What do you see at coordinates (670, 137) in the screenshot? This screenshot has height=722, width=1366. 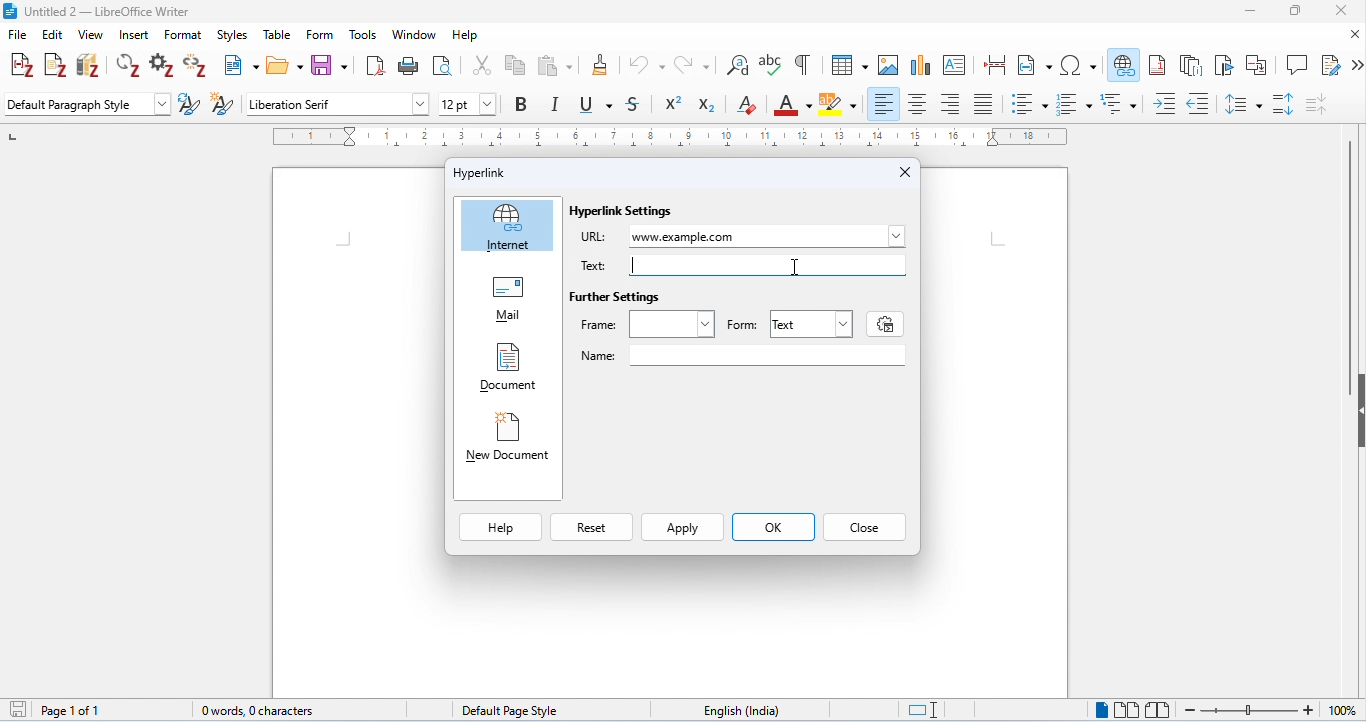 I see `ruler` at bounding box center [670, 137].